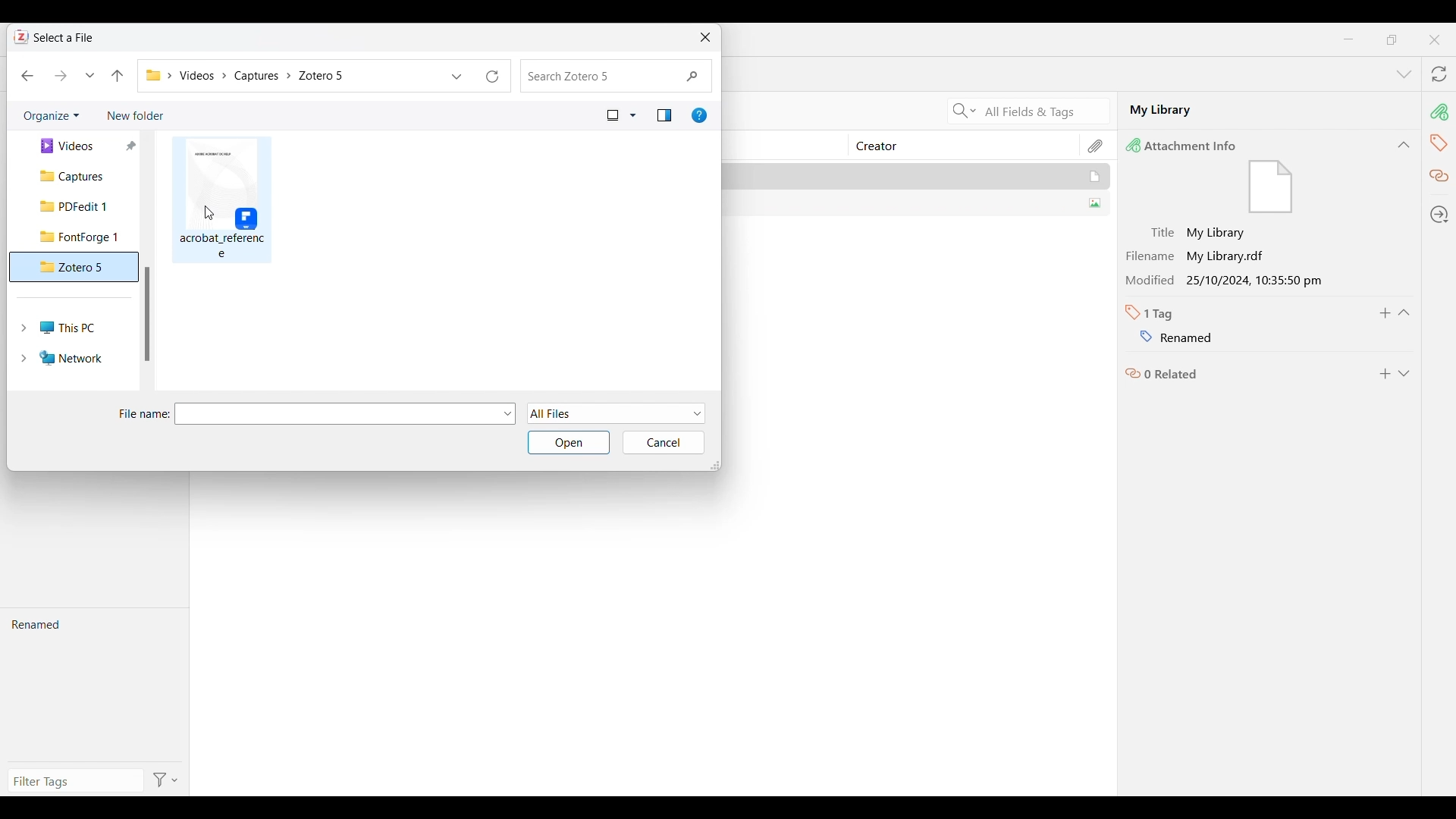  Describe the element at coordinates (220, 199) in the screenshot. I see `File in current folder` at that location.